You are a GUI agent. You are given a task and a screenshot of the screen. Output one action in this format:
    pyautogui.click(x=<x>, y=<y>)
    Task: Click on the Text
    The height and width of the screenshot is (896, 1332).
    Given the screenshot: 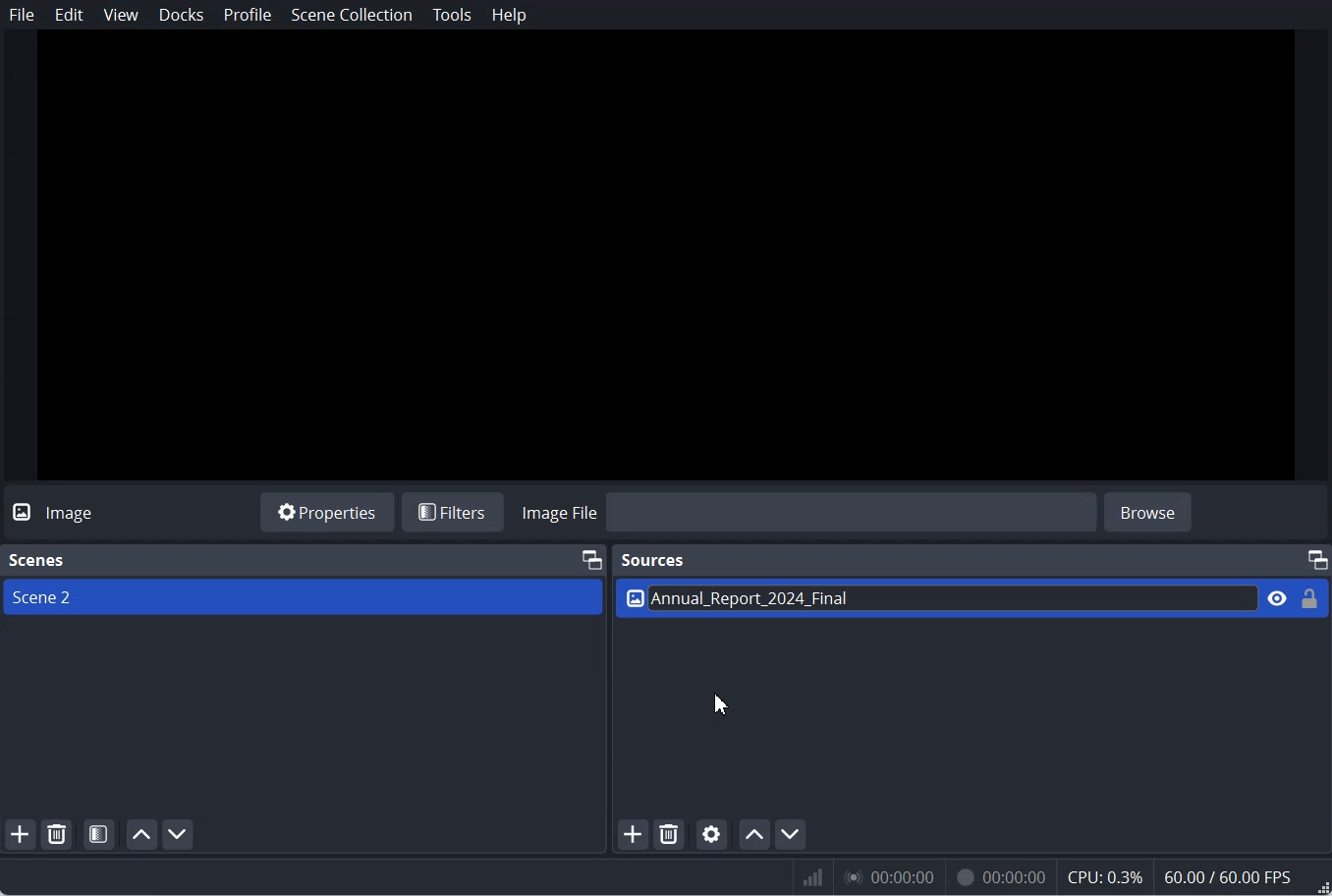 What is the action you would take?
    pyautogui.click(x=84, y=512)
    